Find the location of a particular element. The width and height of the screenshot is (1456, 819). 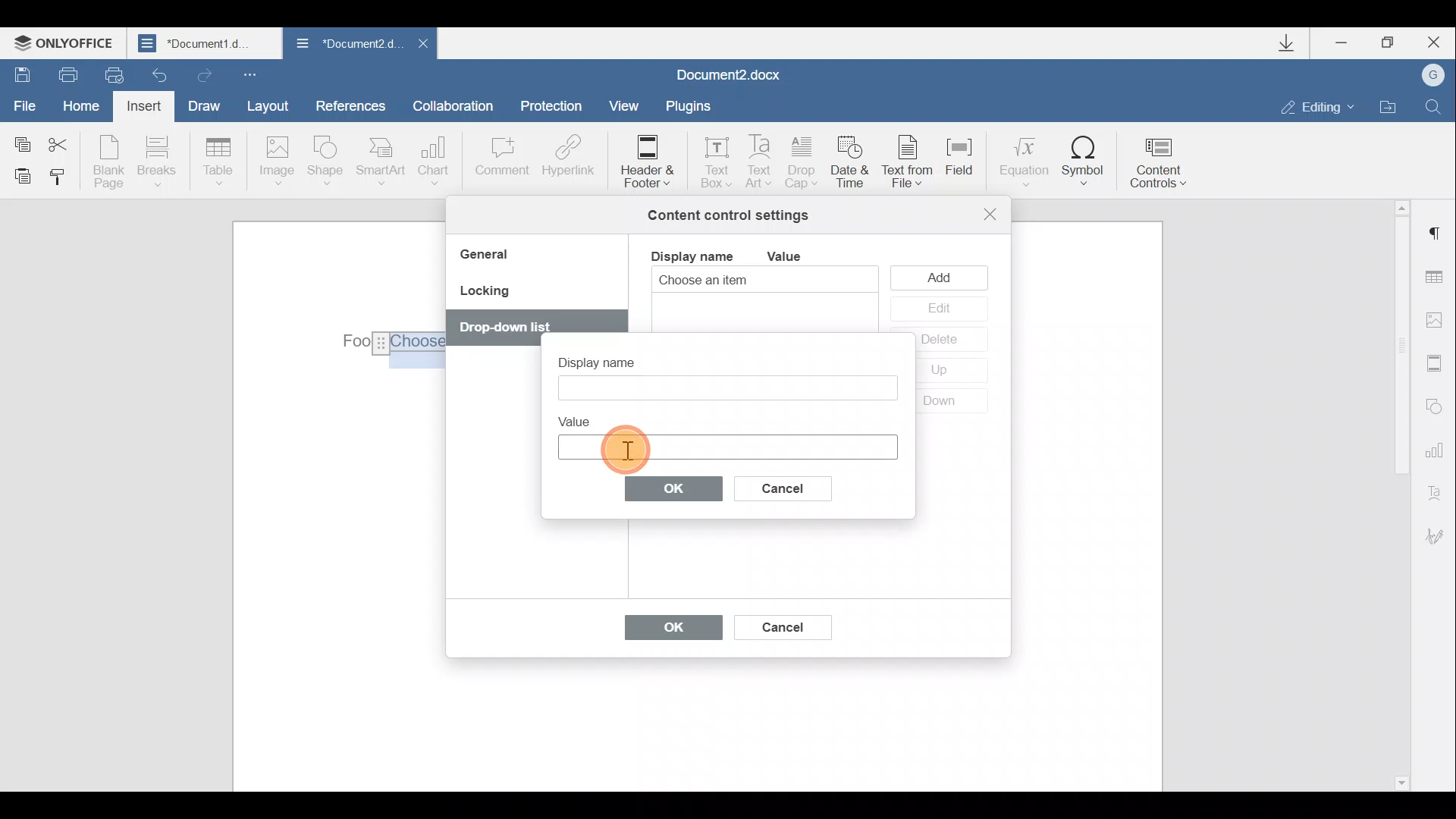

Drop cap is located at coordinates (802, 164).